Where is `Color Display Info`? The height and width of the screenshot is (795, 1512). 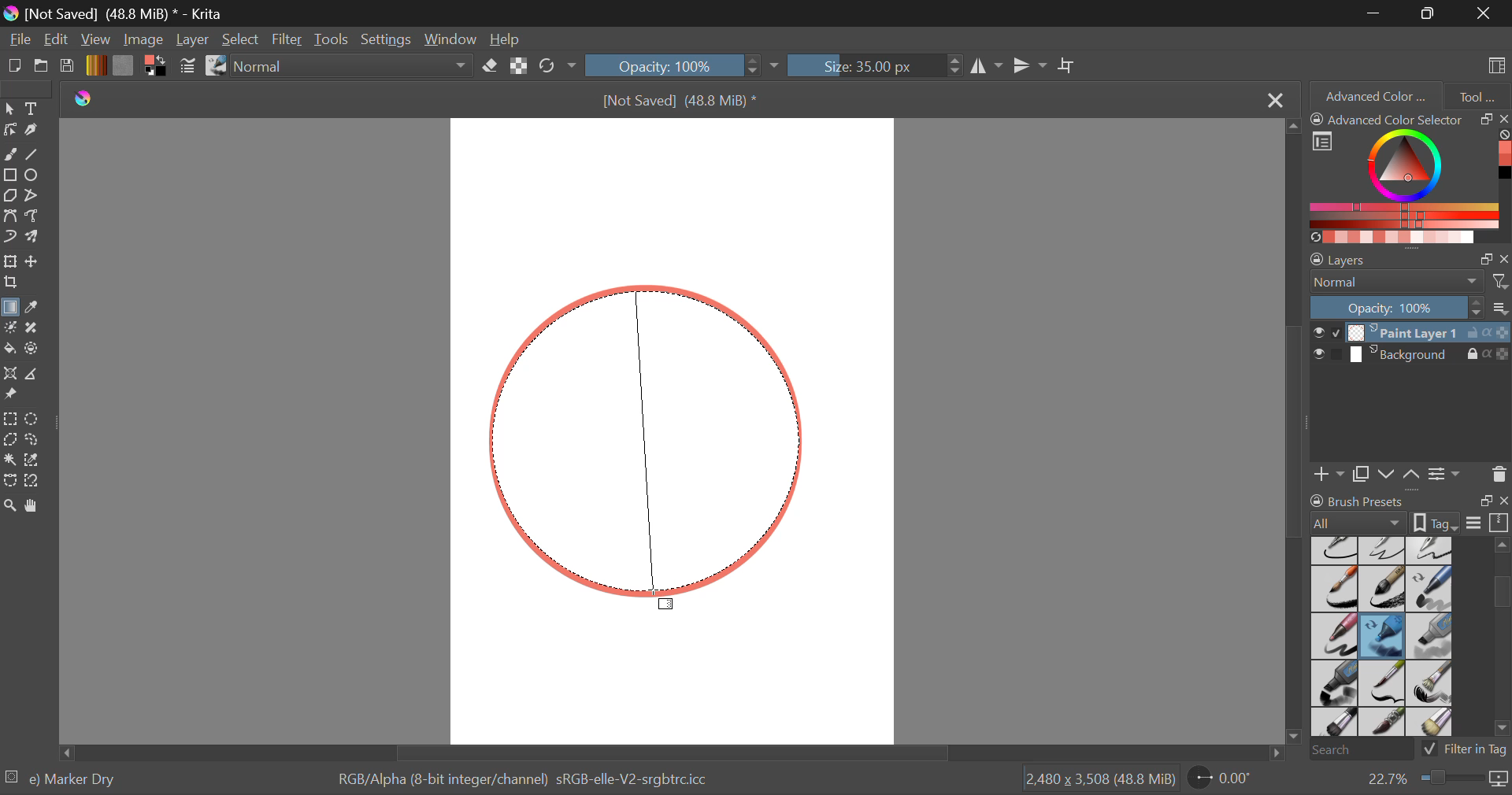 Color Display Info is located at coordinates (528, 782).